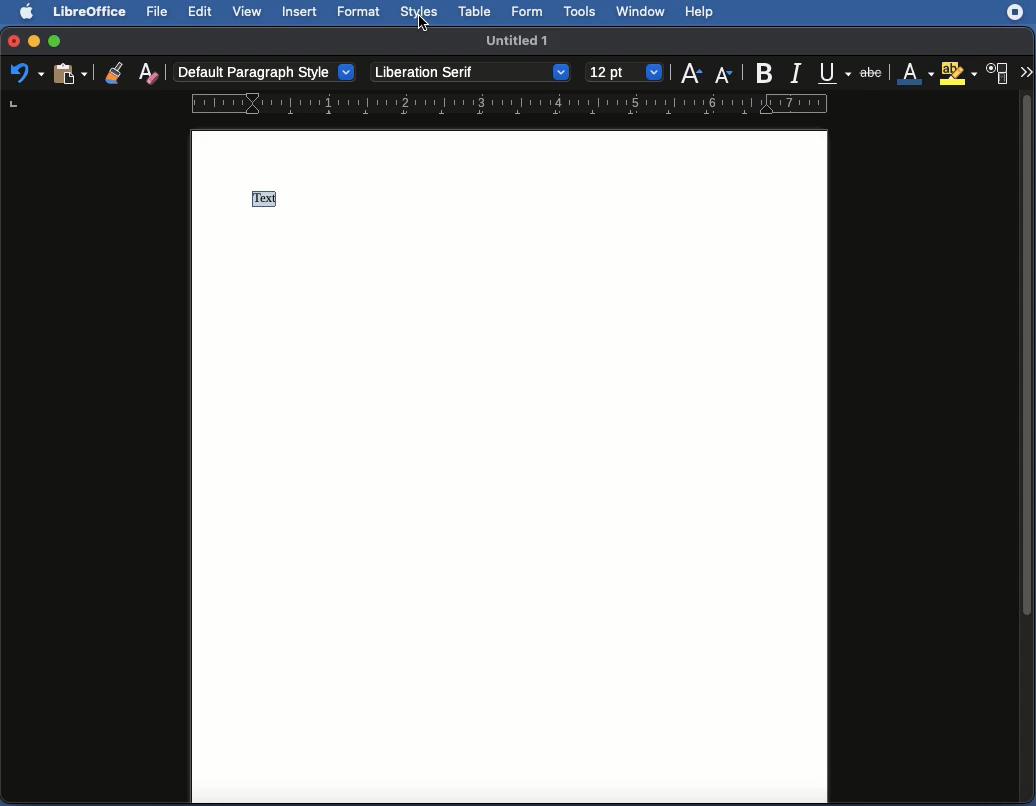 Image resolution: width=1036 pixels, height=806 pixels. I want to click on 12 point, so click(629, 72).